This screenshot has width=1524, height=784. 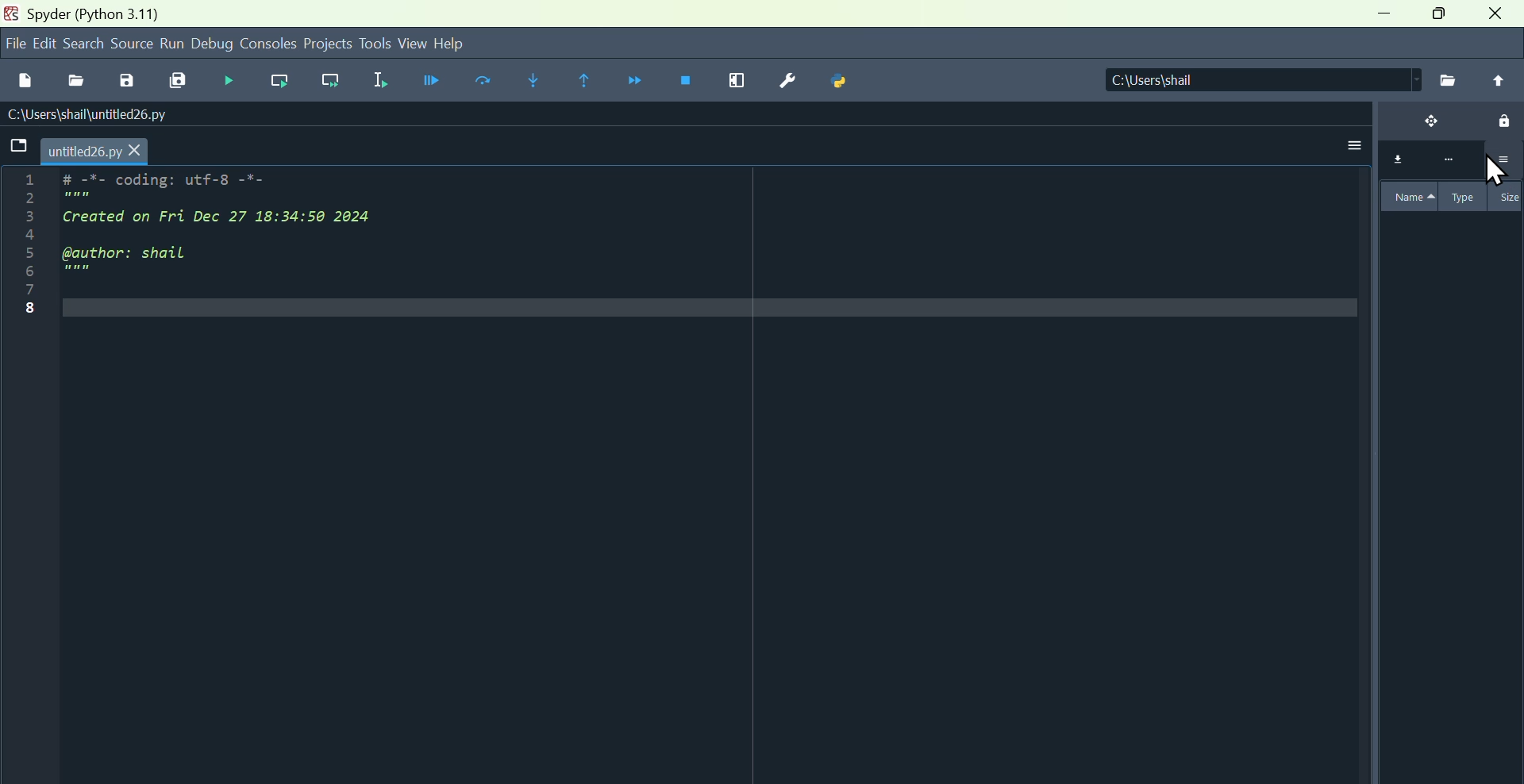 I want to click on Preferences, so click(x=786, y=81).